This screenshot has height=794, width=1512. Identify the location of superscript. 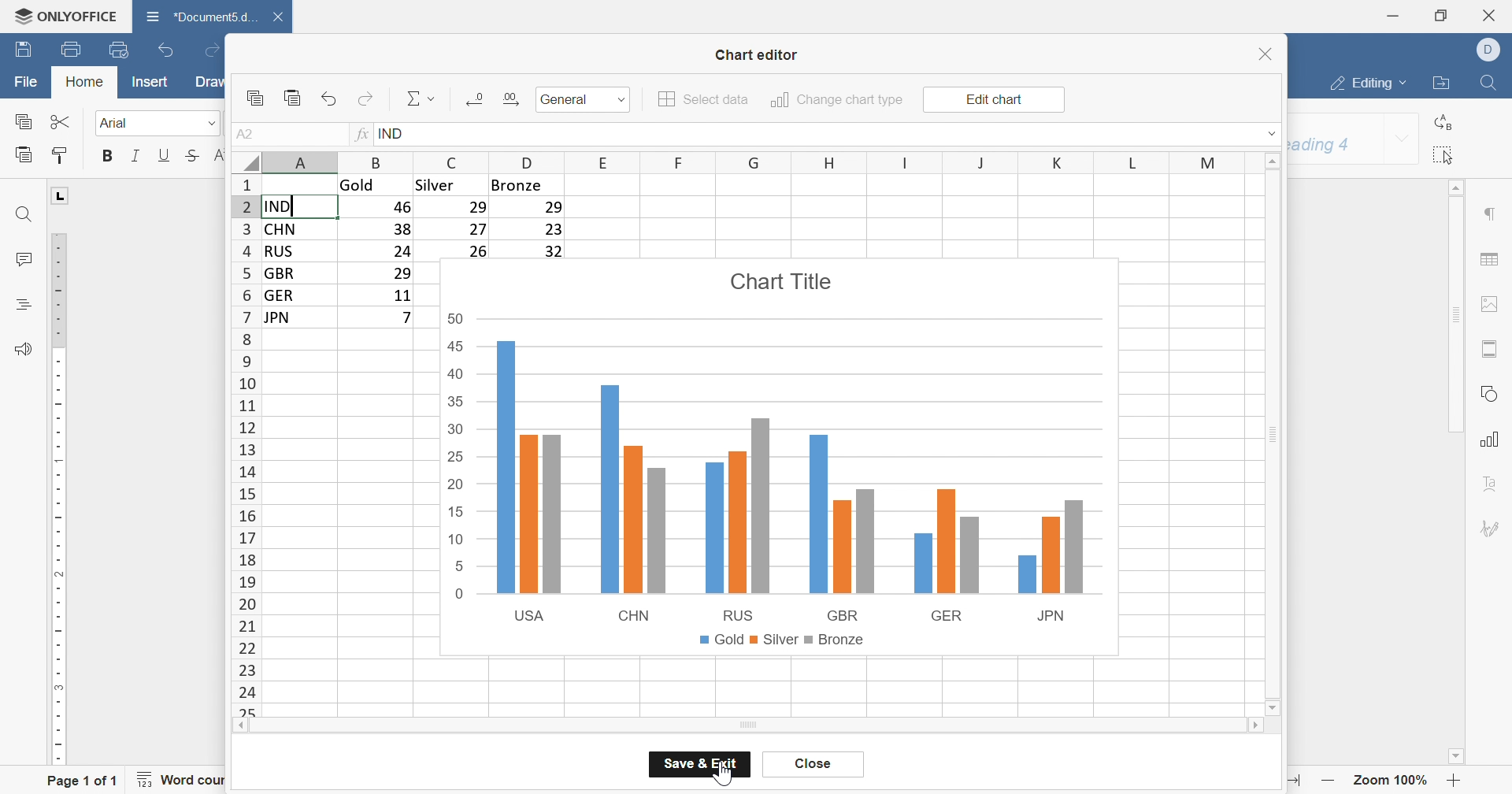
(220, 155).